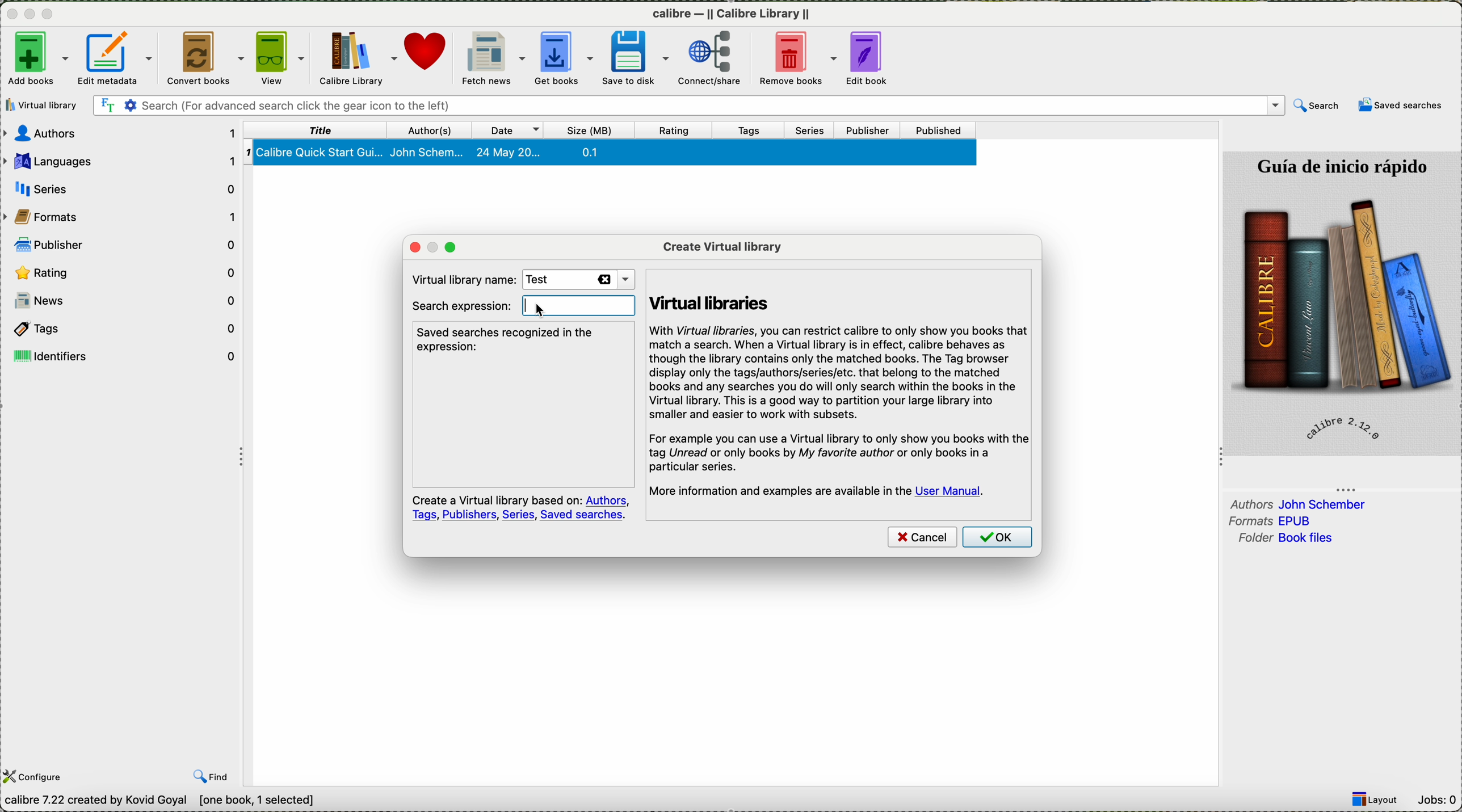 Image resolution: width=1462 pixels, height=812 pixels. Describe the element at coordinates (939, 129) in the screenshot. I see `published` at that location.